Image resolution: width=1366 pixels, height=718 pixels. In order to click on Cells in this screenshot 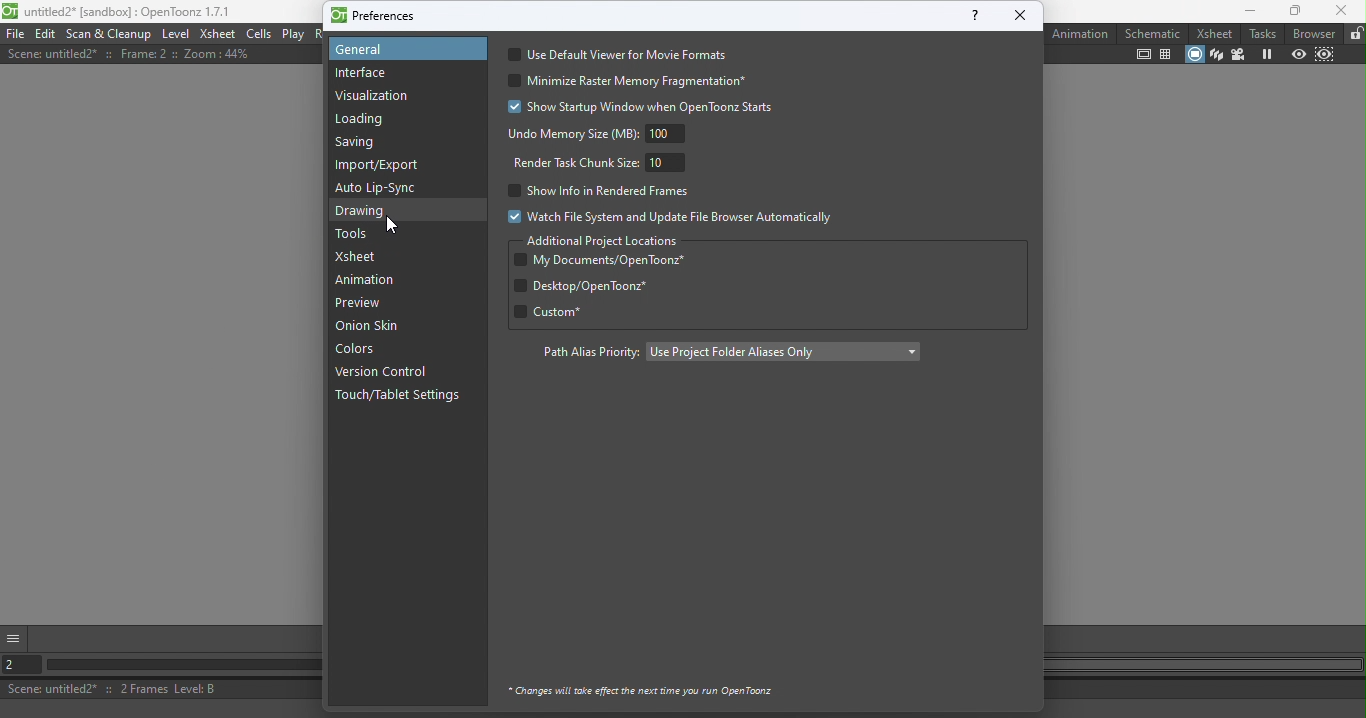, I will do `click(259, 34)`.